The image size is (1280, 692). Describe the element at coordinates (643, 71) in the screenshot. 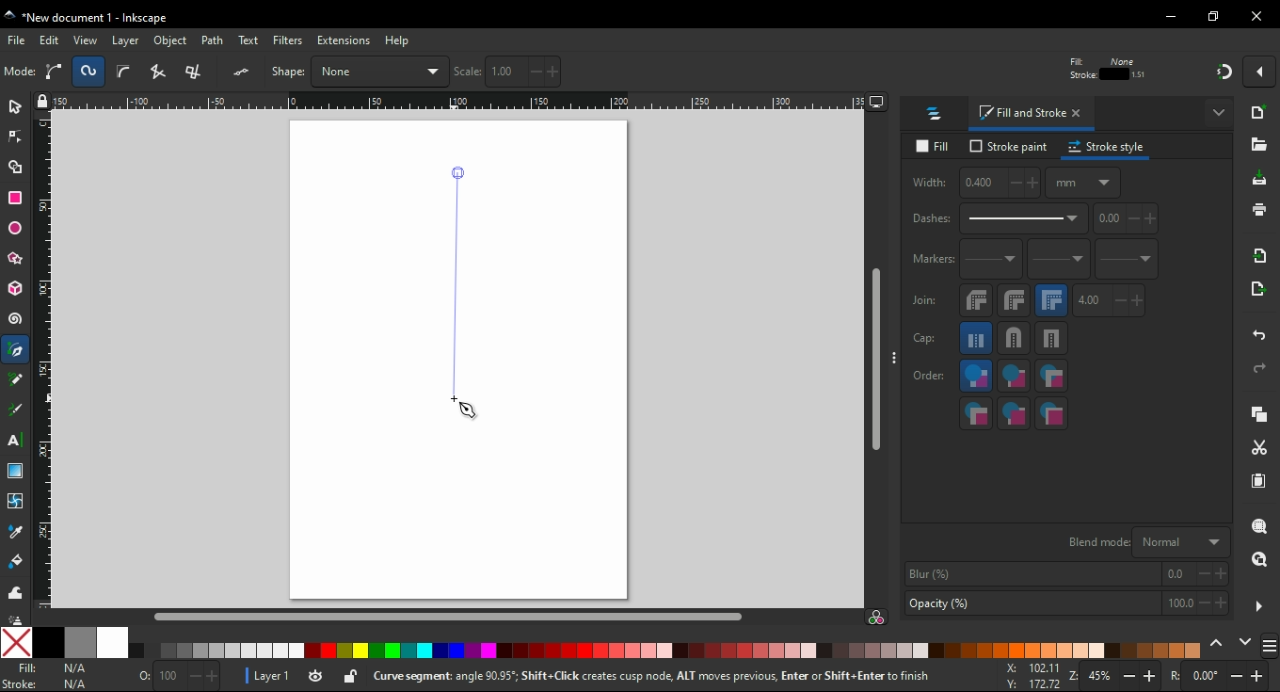

I see `vertical coordinates` at that location.